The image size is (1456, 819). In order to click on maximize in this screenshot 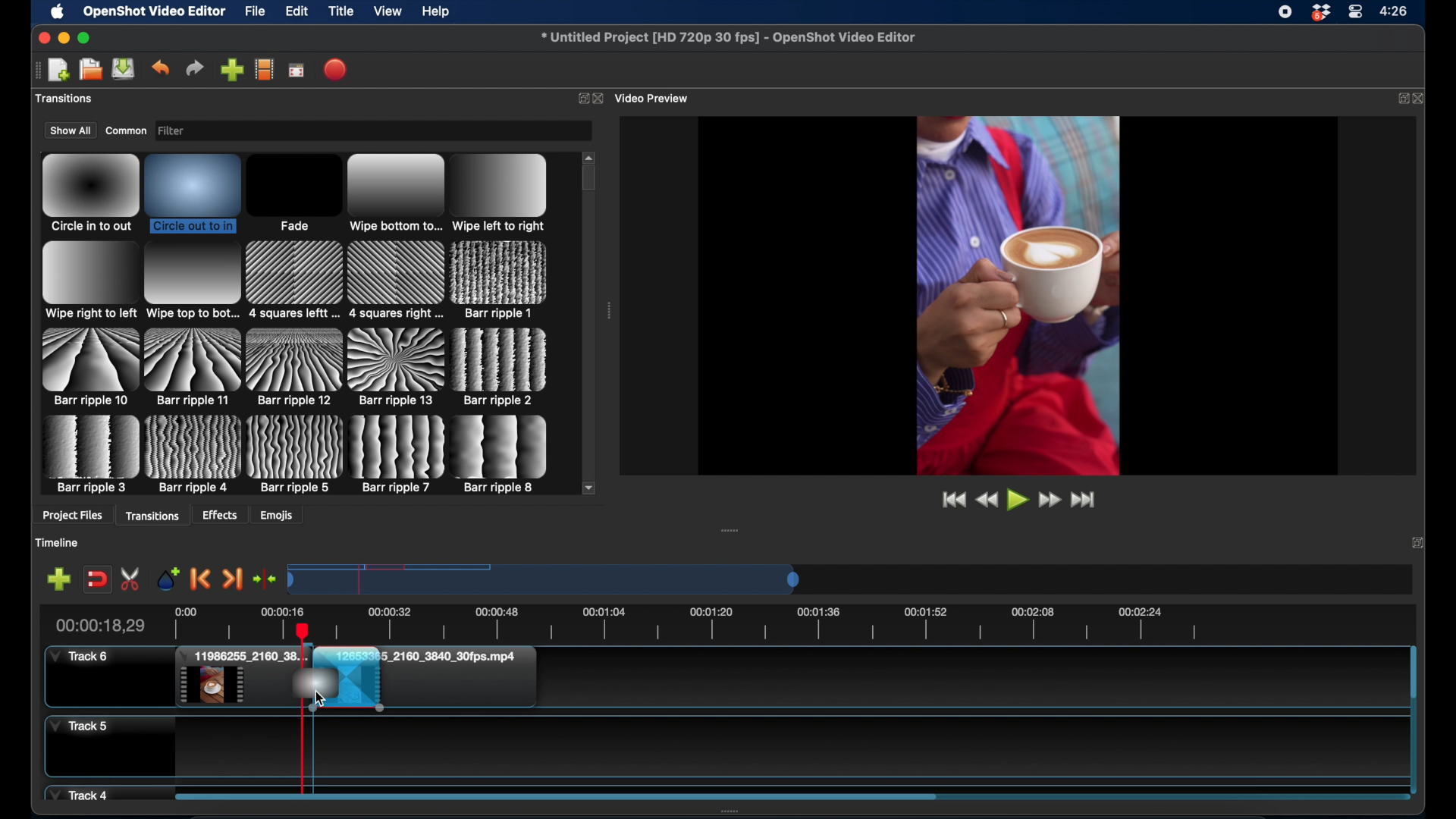, I will do `click(84, 38)`.